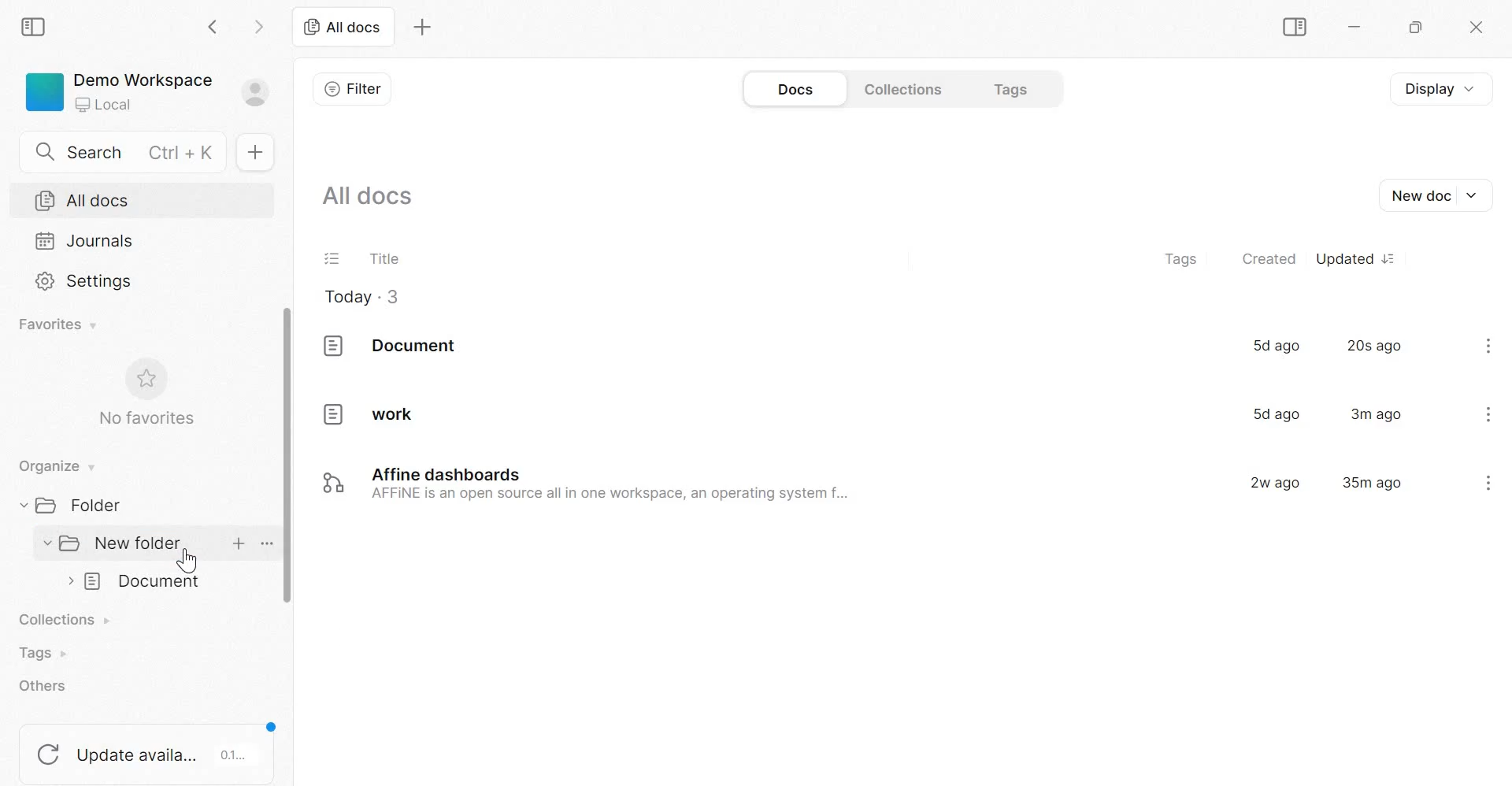 The height and width of the screenshot is (786, 1512). I want to click on Title, so click(384, 257).